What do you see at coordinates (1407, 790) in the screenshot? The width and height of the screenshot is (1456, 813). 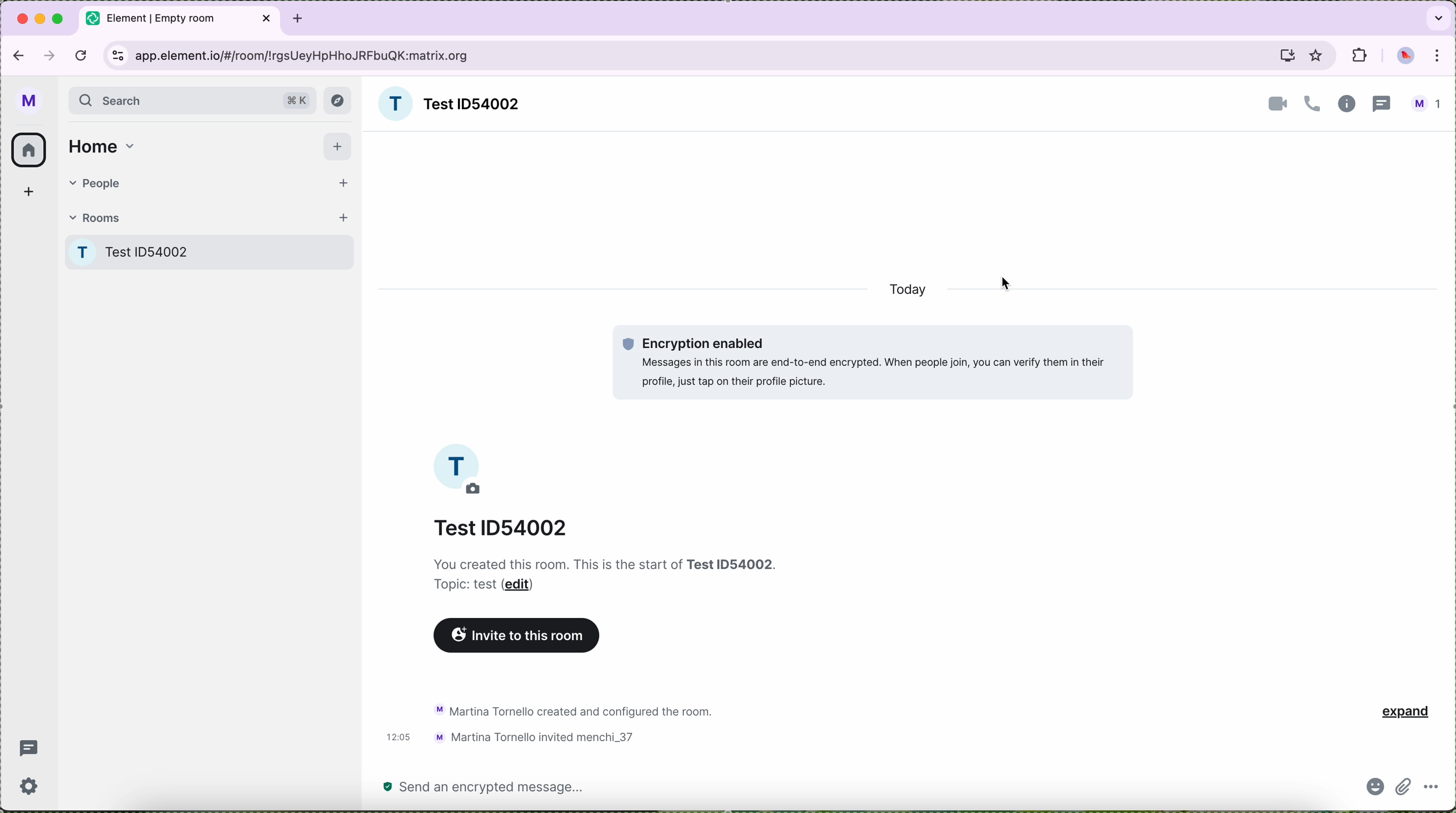 I see `attach file` at bounding box center [1407, 790].